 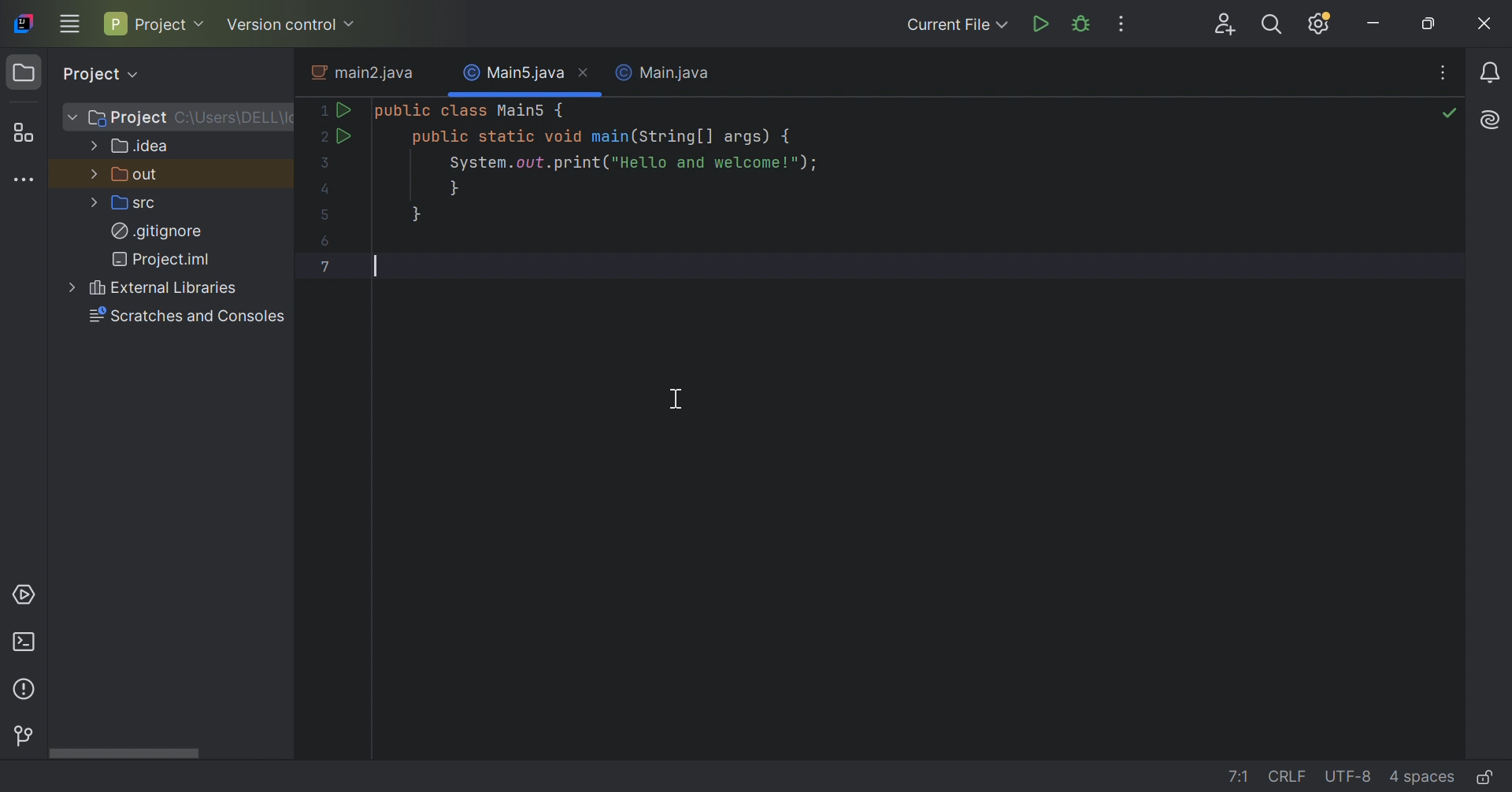 What do you see at coordinates (140, 145) in the screenshot?
I see `.idea` at bounding box center [140, 145].